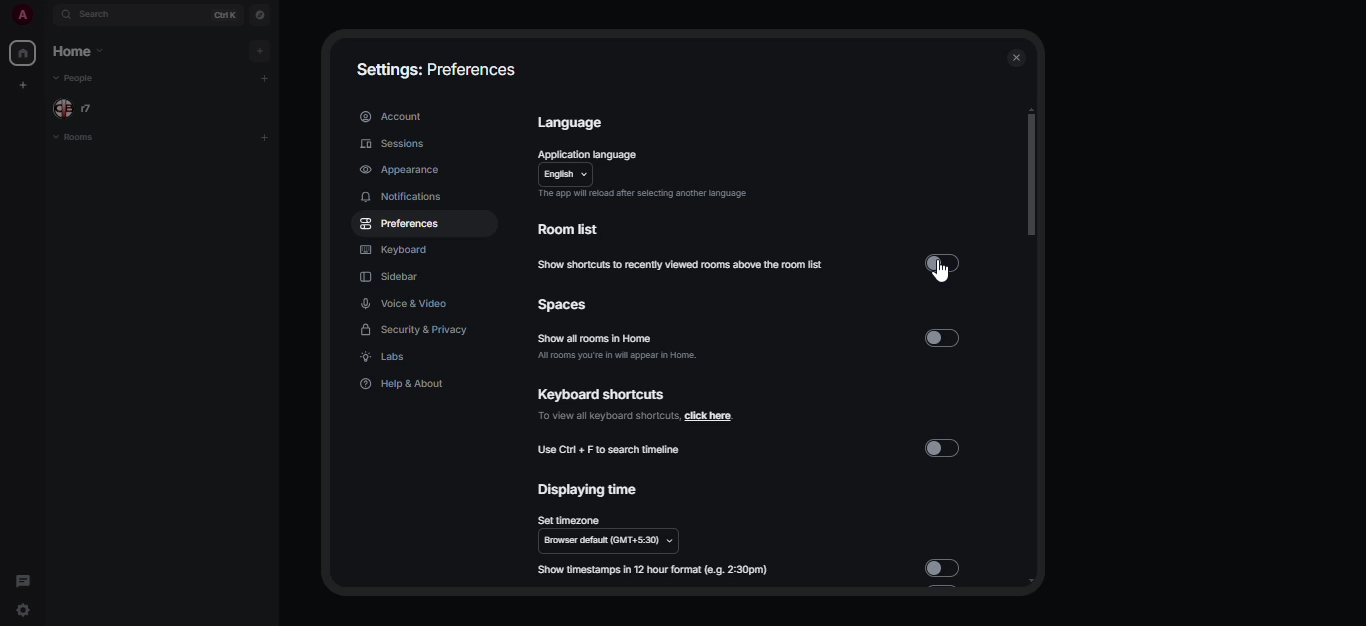 This screenshot has width=1366, height=626. What do you see at coordinates (938, 263) in the screenshot?
I see `disabled` at bounding box center [938, 263].